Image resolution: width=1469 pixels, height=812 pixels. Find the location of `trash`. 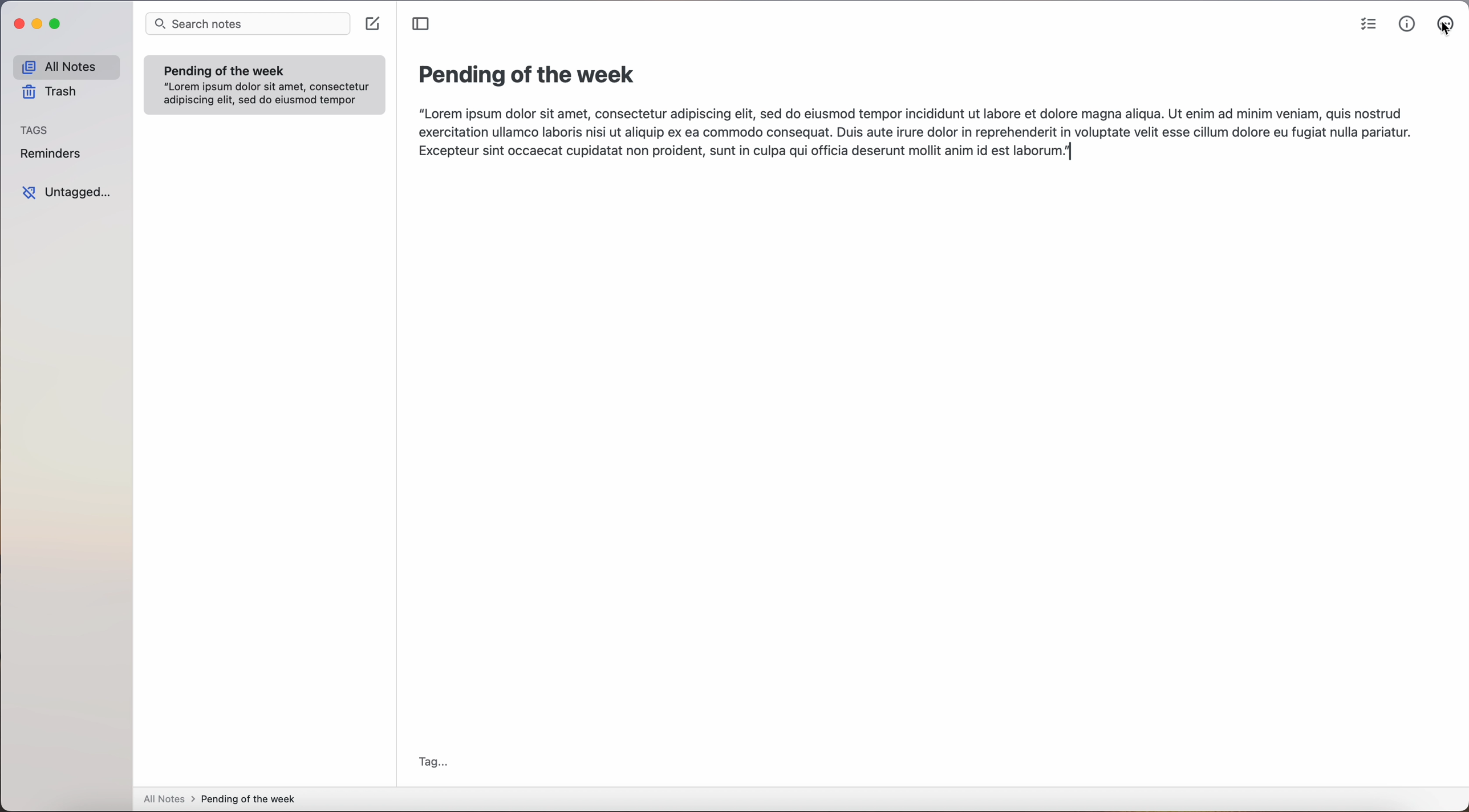

trash is located at coordinates (52, 94).